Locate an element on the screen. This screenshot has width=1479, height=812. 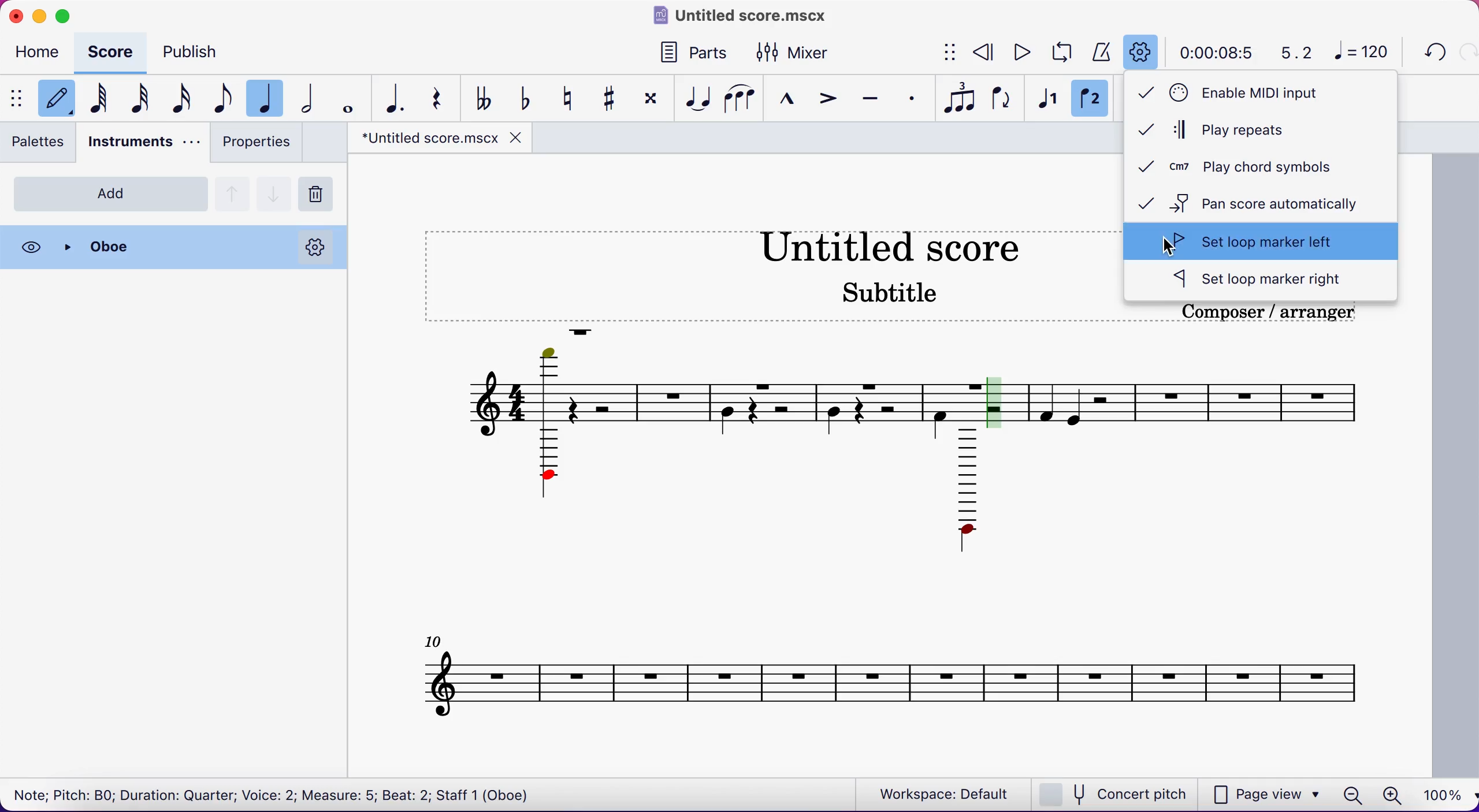
minimize is located at coordinates (40, 14).